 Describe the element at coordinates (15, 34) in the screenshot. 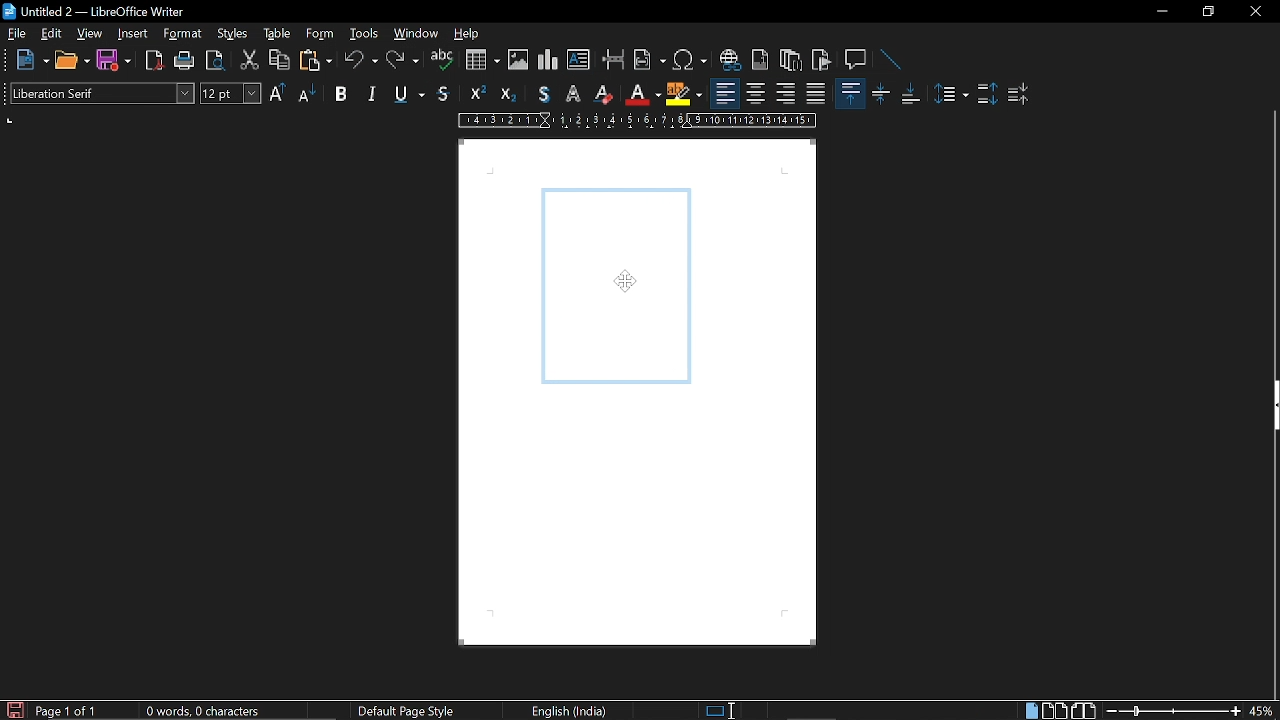

I see `file` at that location.